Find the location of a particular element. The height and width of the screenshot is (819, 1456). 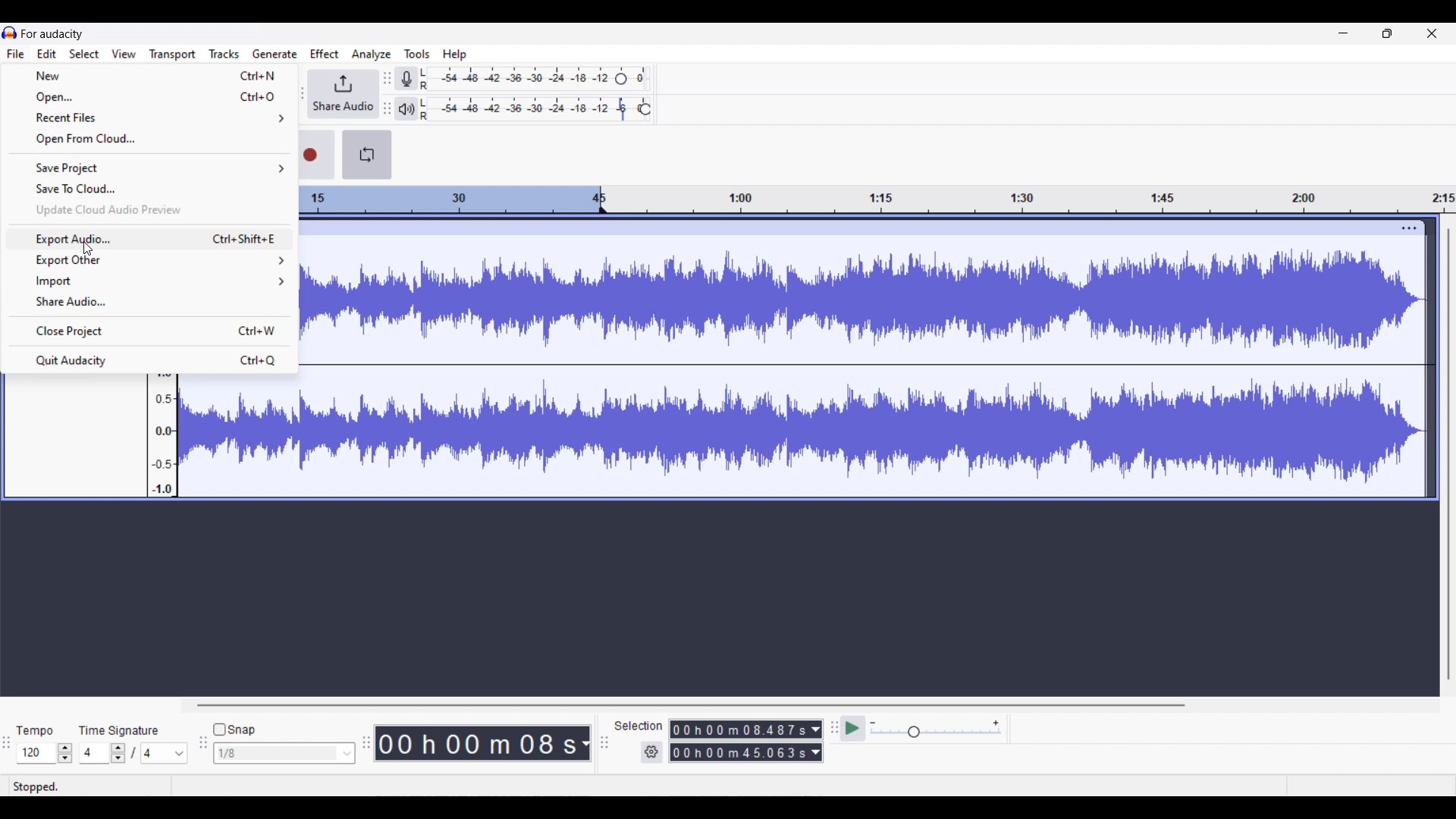

Record meter is located at coordinates (407, 79).